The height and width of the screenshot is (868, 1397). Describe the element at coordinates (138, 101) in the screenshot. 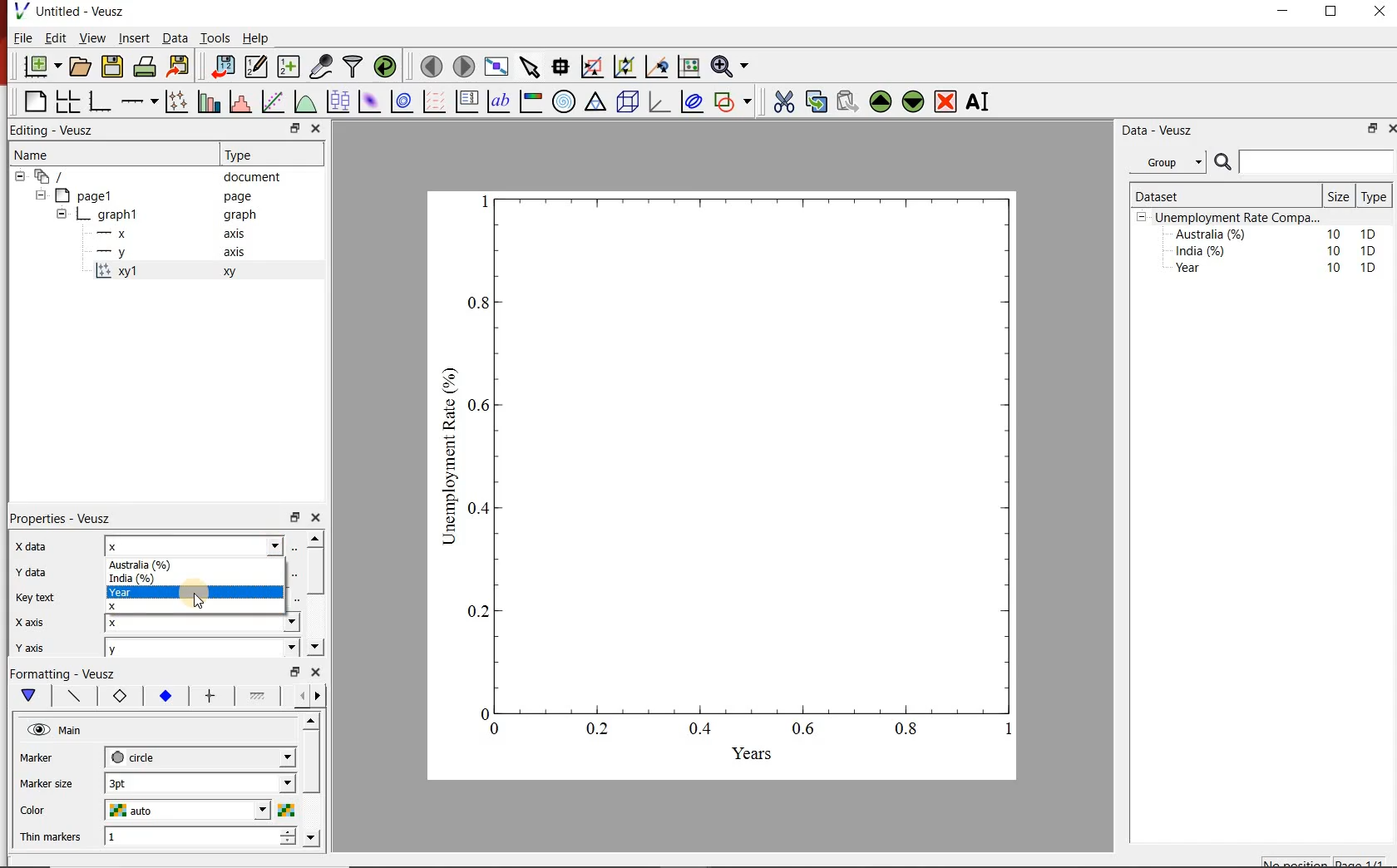

I see `add an axis` at that location.